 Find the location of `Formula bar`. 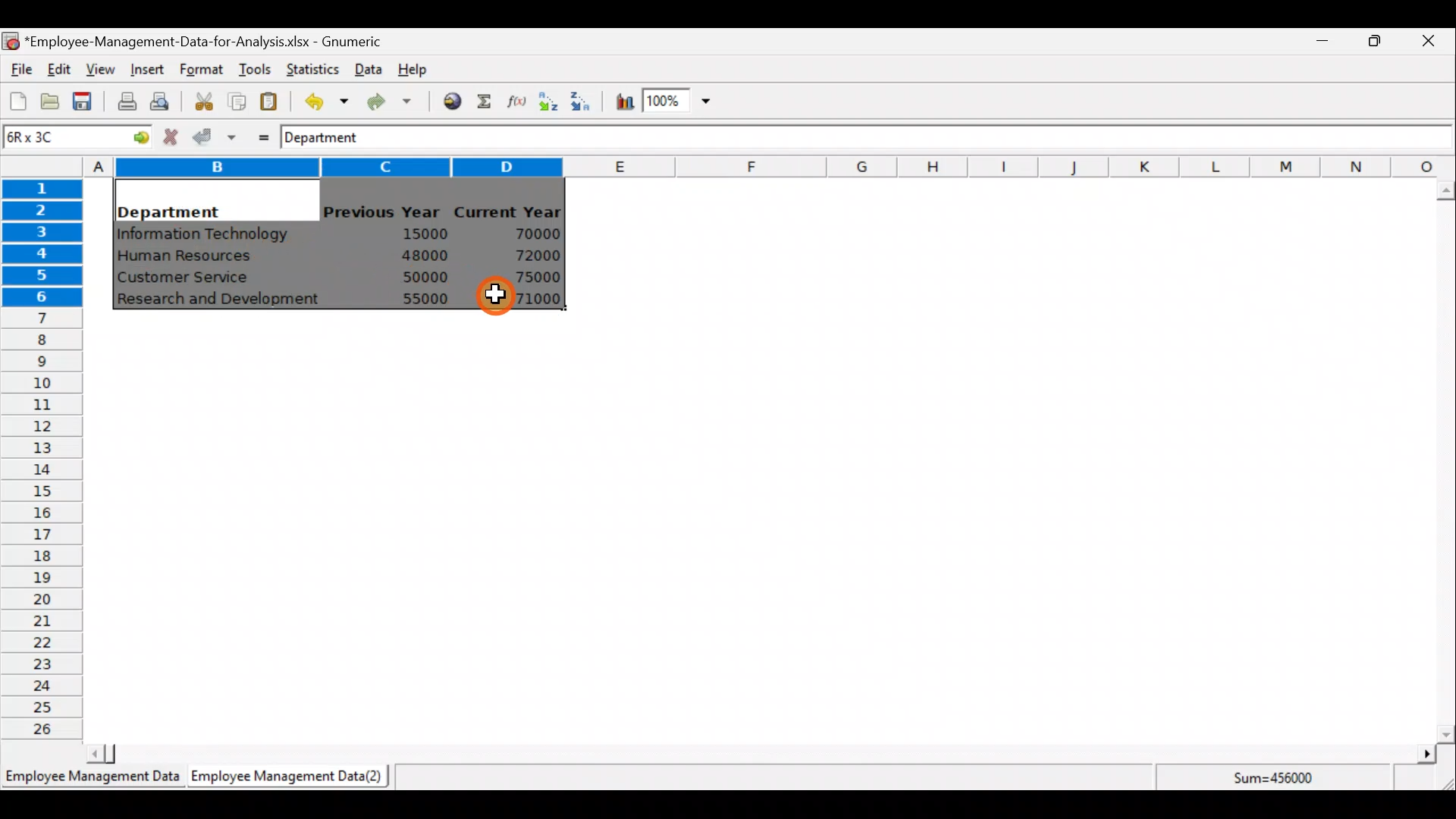

Formula bar is located at coordinates (922, 137).